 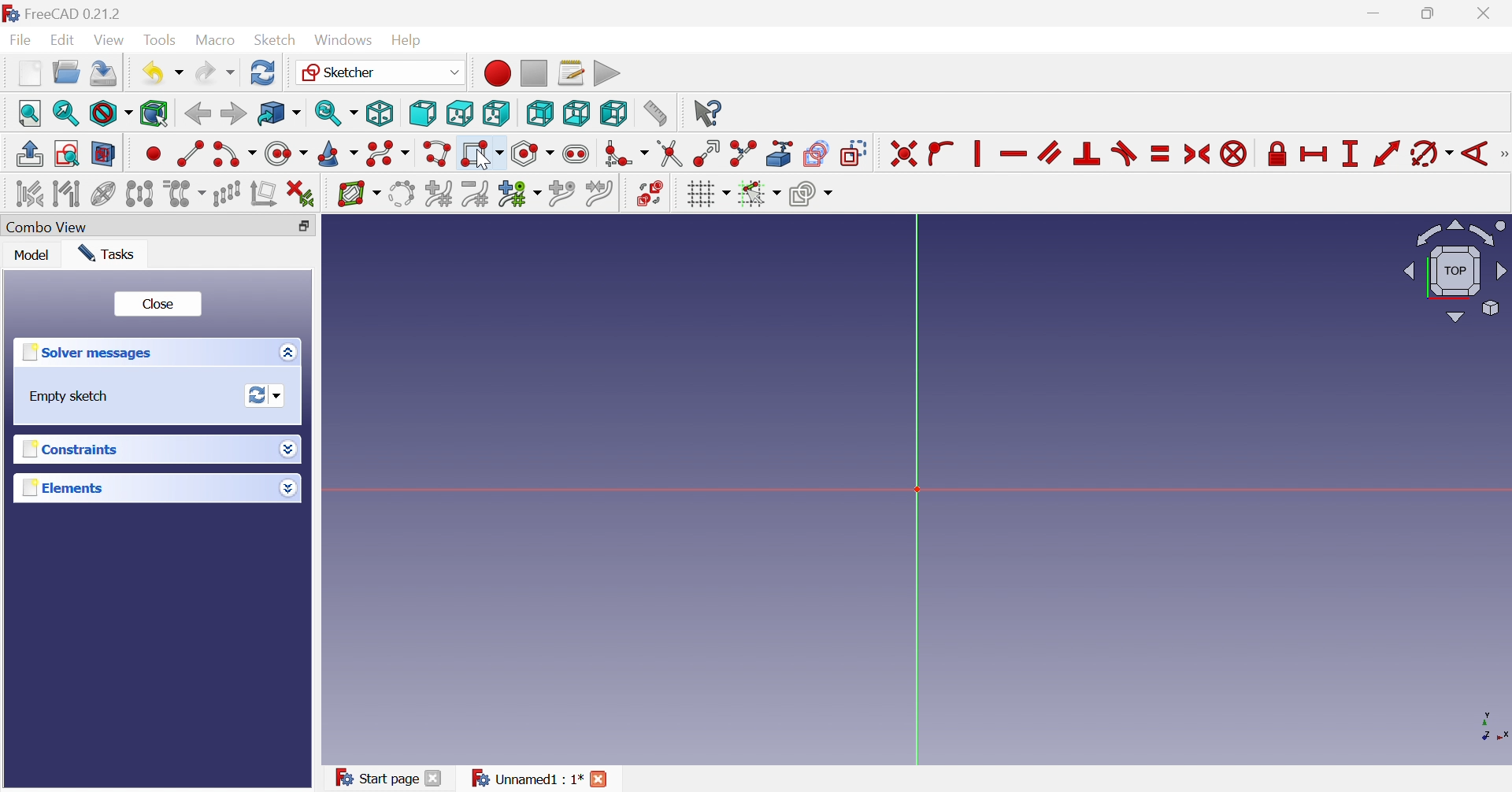 I want to click on Redo, so click(x=215, y=73).